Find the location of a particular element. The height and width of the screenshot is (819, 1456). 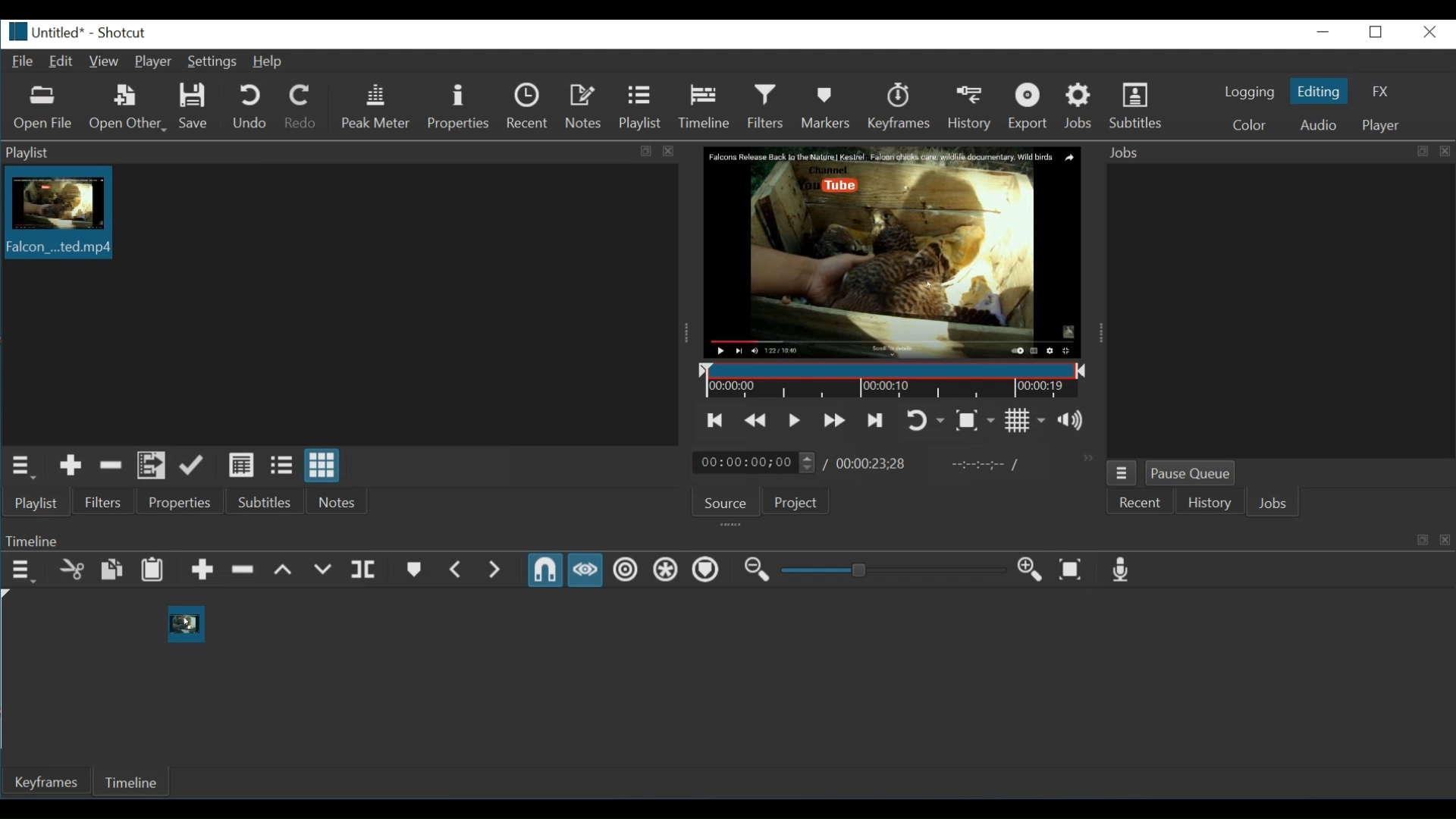

Create or edit marker is located at coordinates (413, 570).